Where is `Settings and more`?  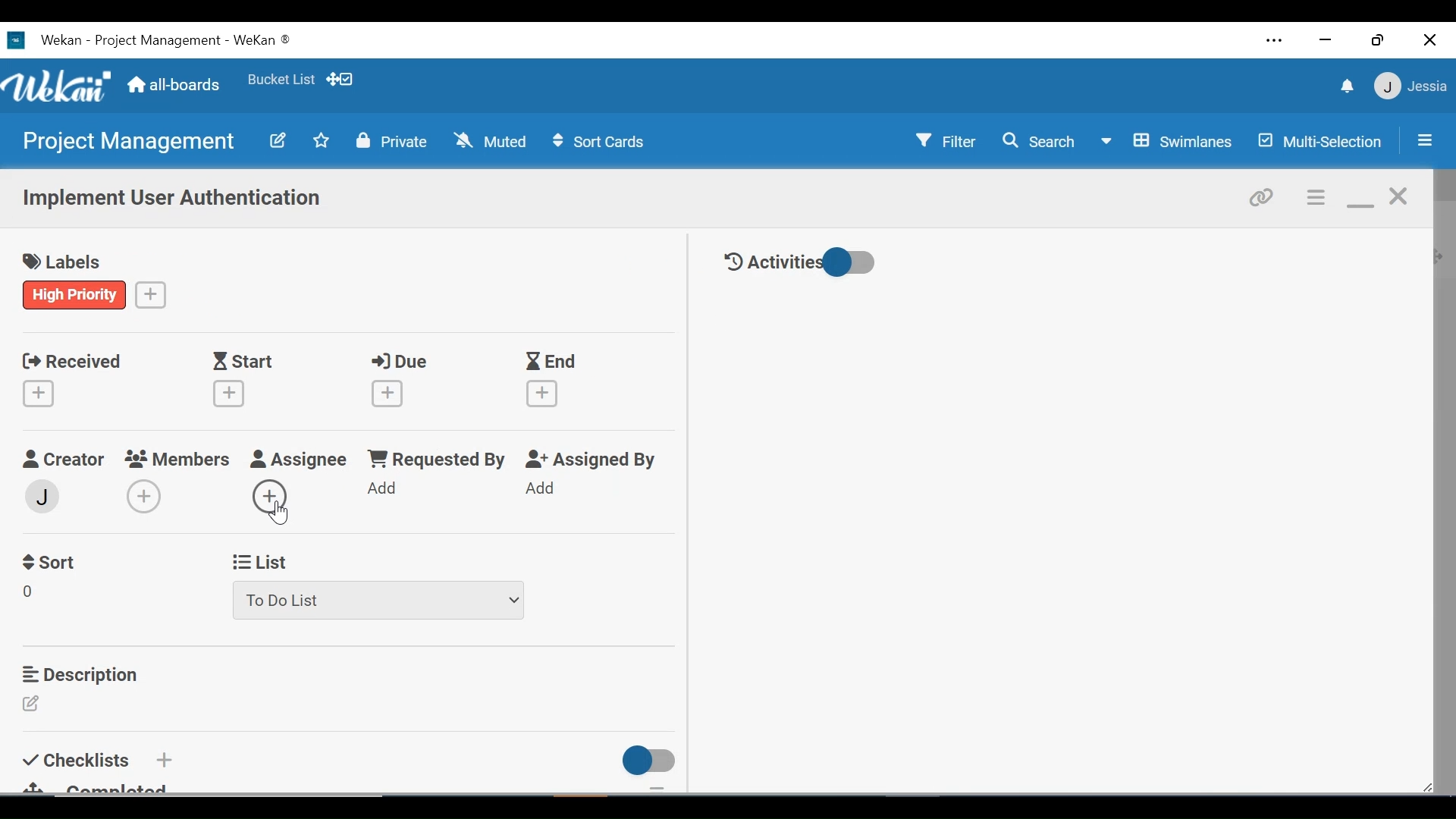 Settings and more is located at coordinates (1276, 42).